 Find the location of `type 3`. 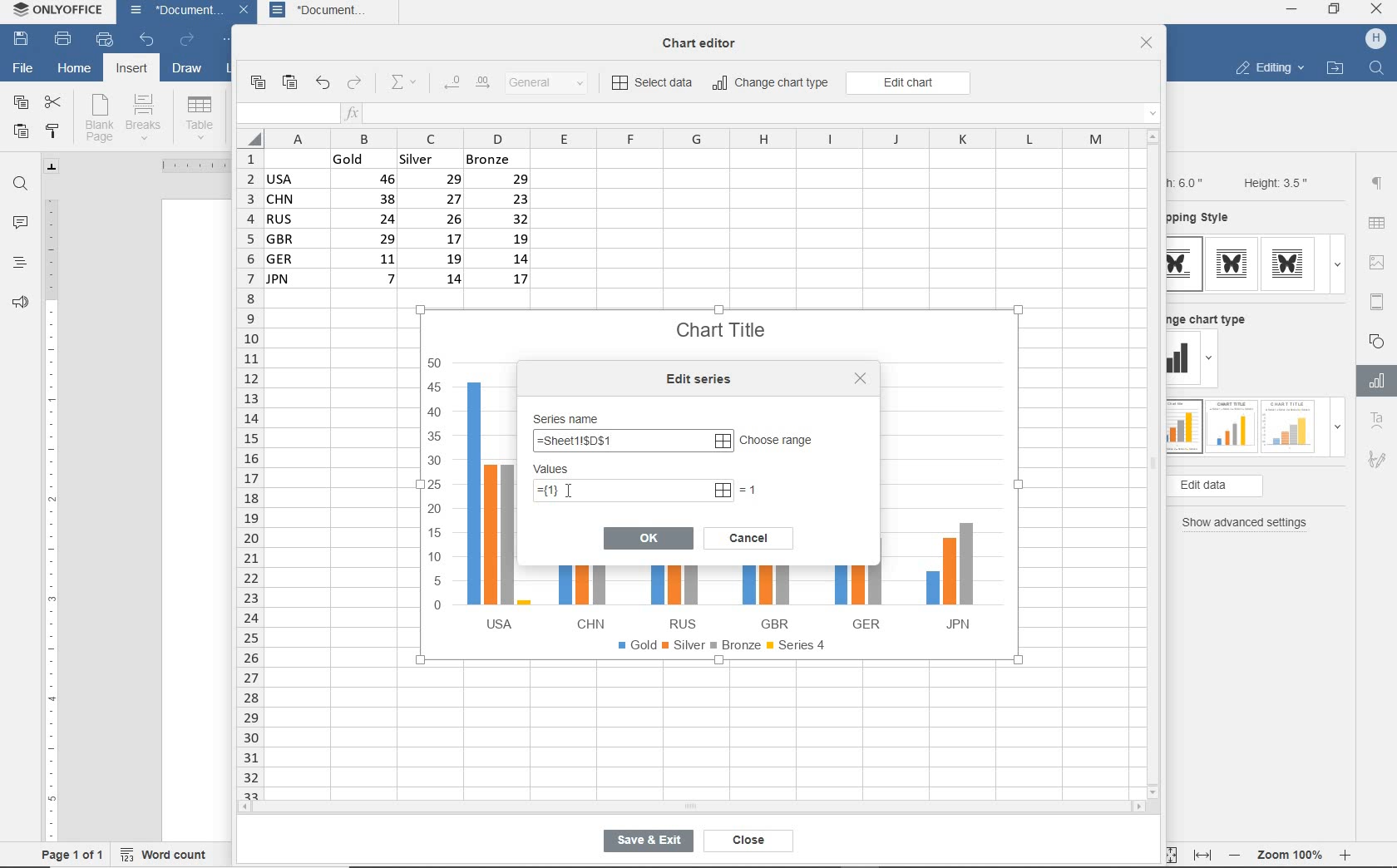

type 3 is located at coordinates (1289, 425).